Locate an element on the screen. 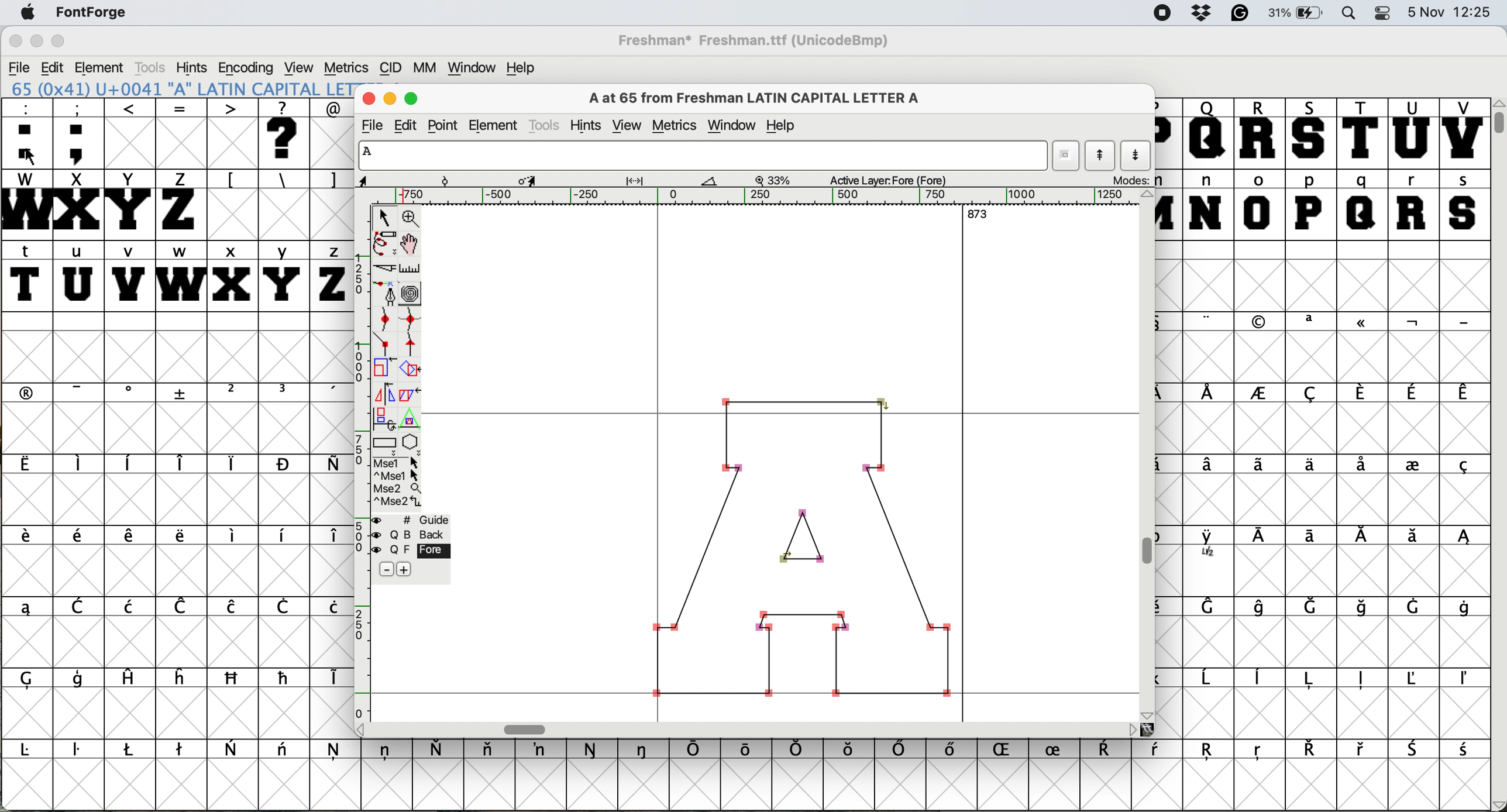 This screenshot has height=812, width=1507. symbol is located at coordinates (1464, 751).